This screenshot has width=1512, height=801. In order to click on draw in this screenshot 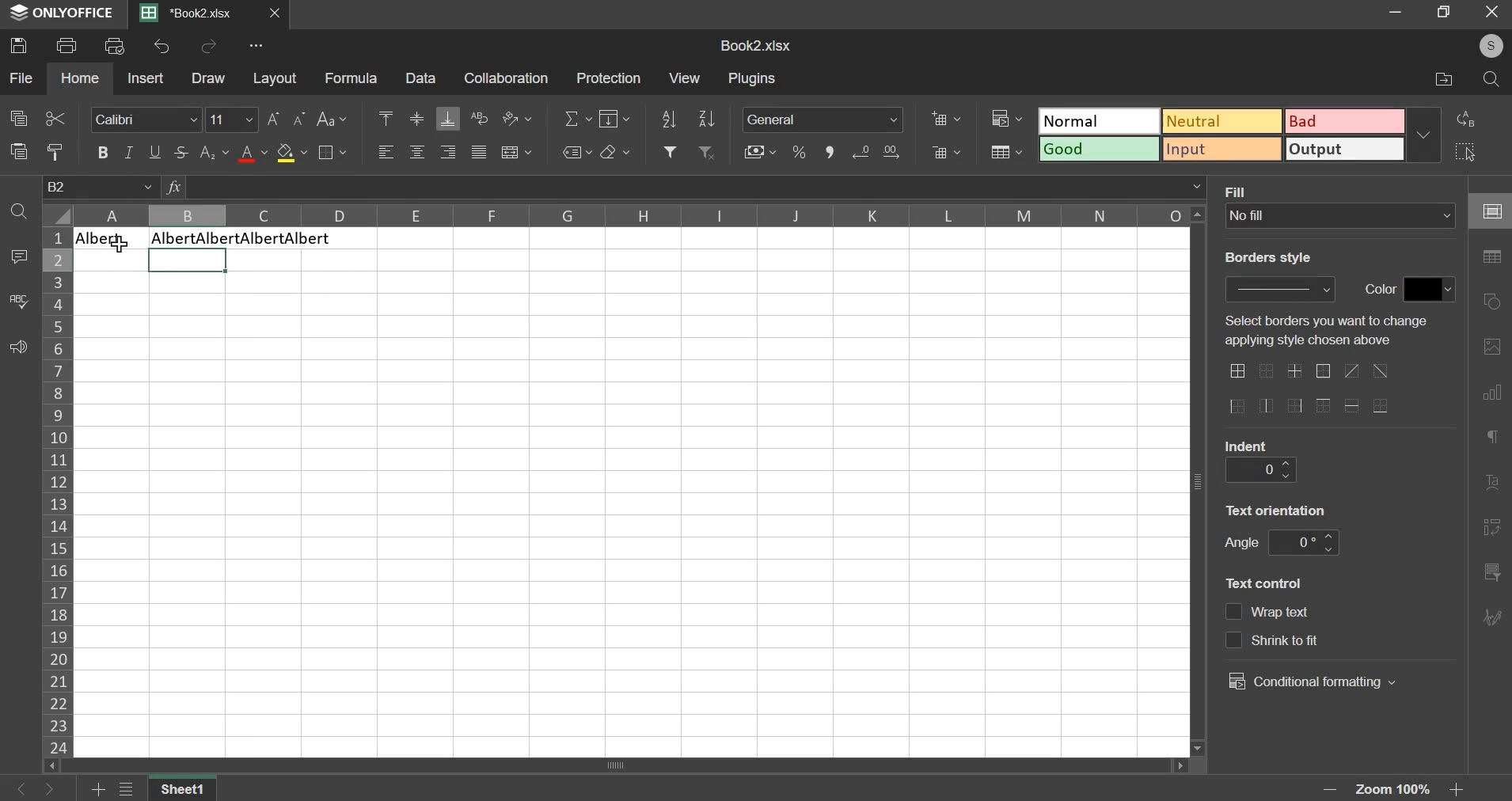, I will do `click(209, 78)`.